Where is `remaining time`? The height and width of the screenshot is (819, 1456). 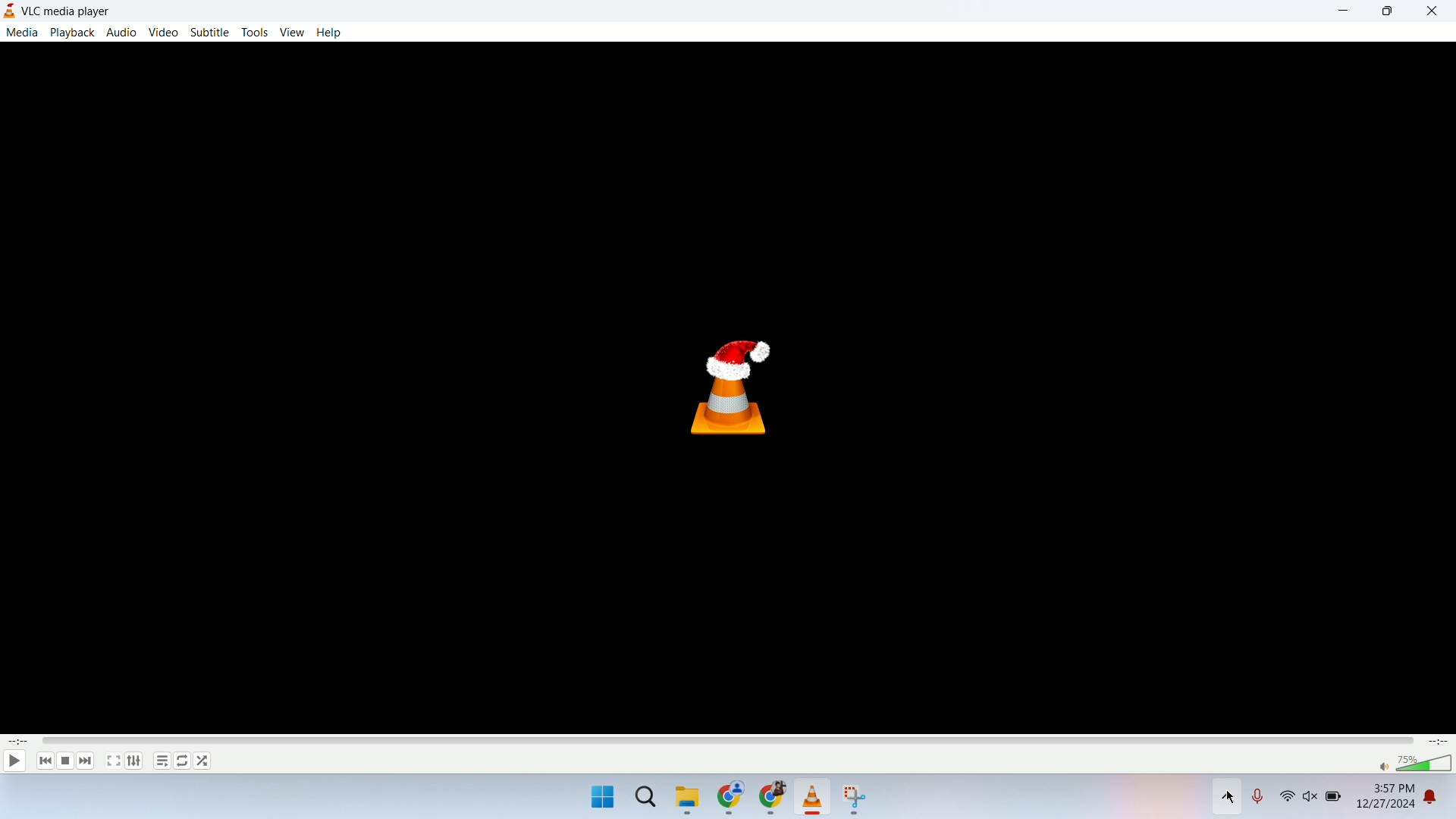 remaining time is located at coordinates (1439, 742).